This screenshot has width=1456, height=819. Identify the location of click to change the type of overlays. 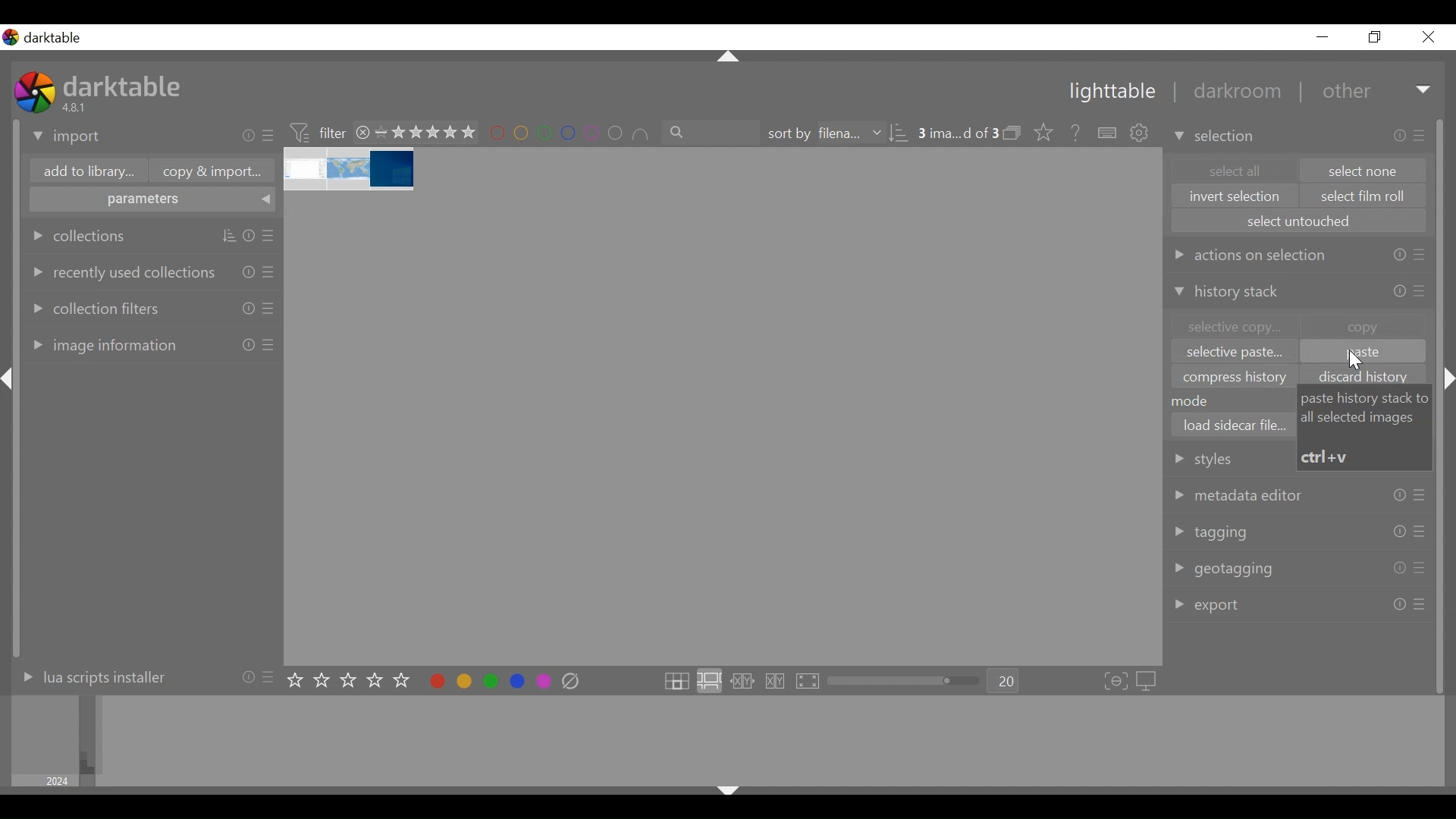
(1040, 131).